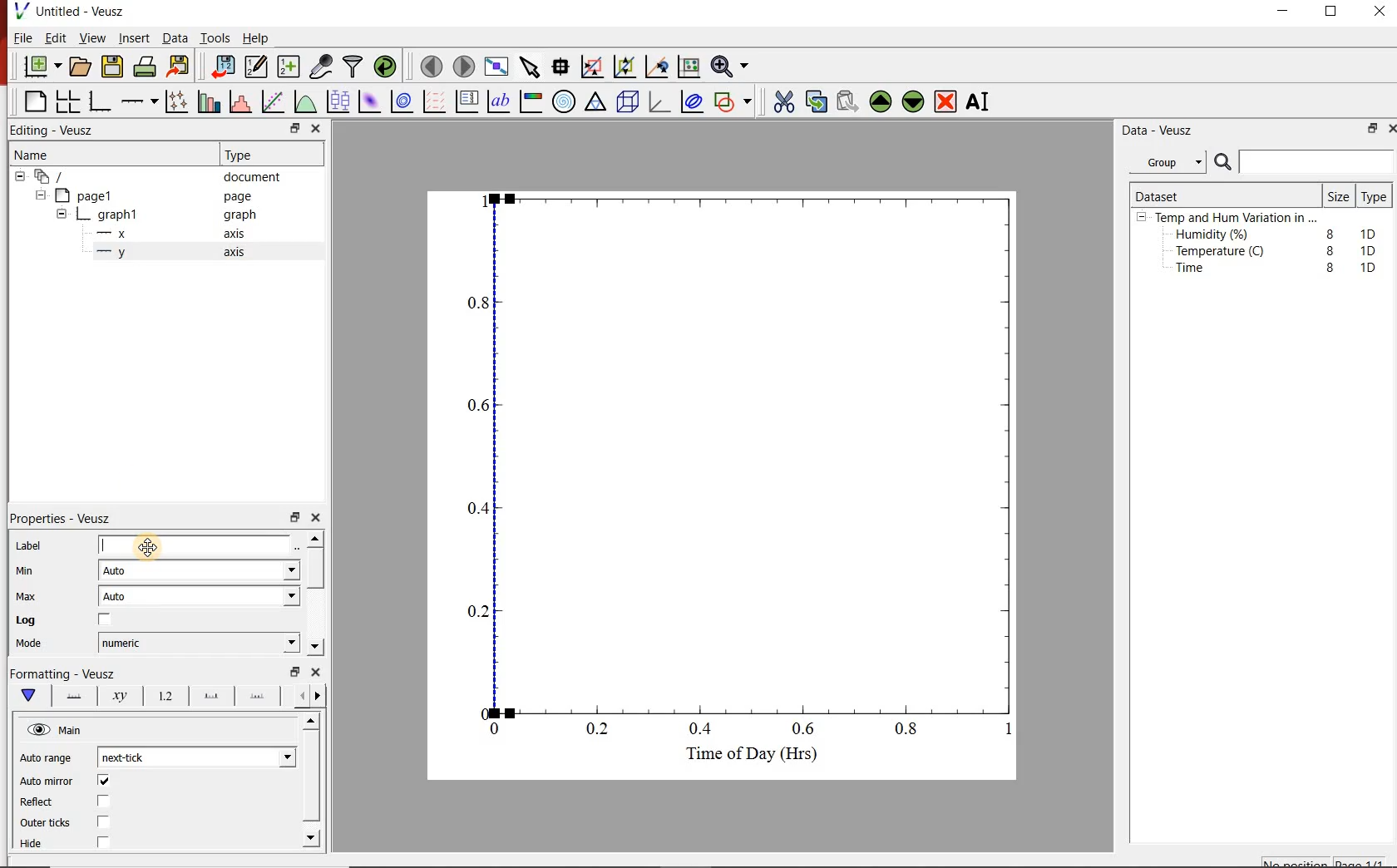 The width and height of the screenshot is (1397, 868). What do you see at coordinates (597, 104) in the screenshot?
I see `ternary graph` at bounding box center [597, 104].